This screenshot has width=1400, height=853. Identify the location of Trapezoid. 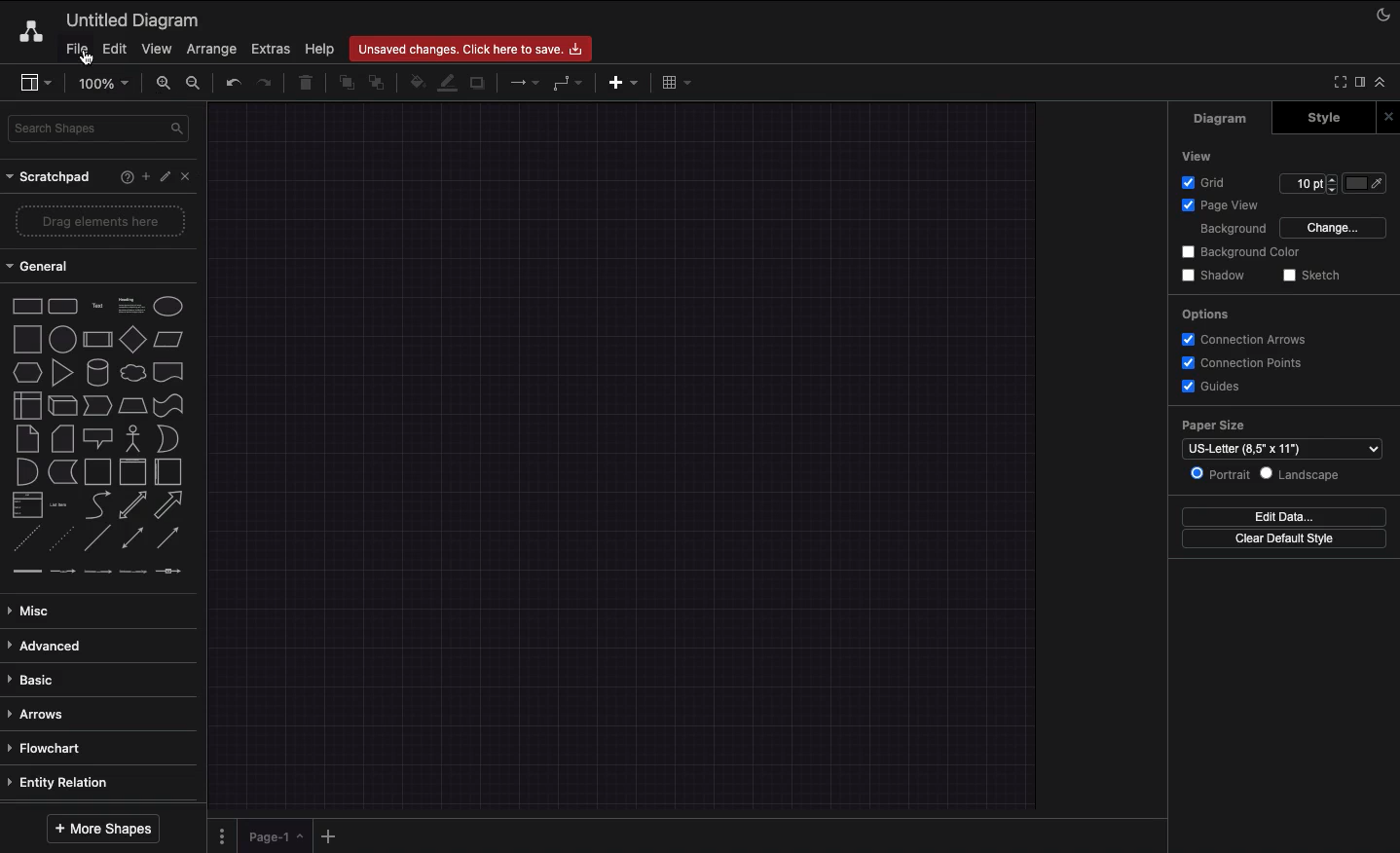
(130, 406).